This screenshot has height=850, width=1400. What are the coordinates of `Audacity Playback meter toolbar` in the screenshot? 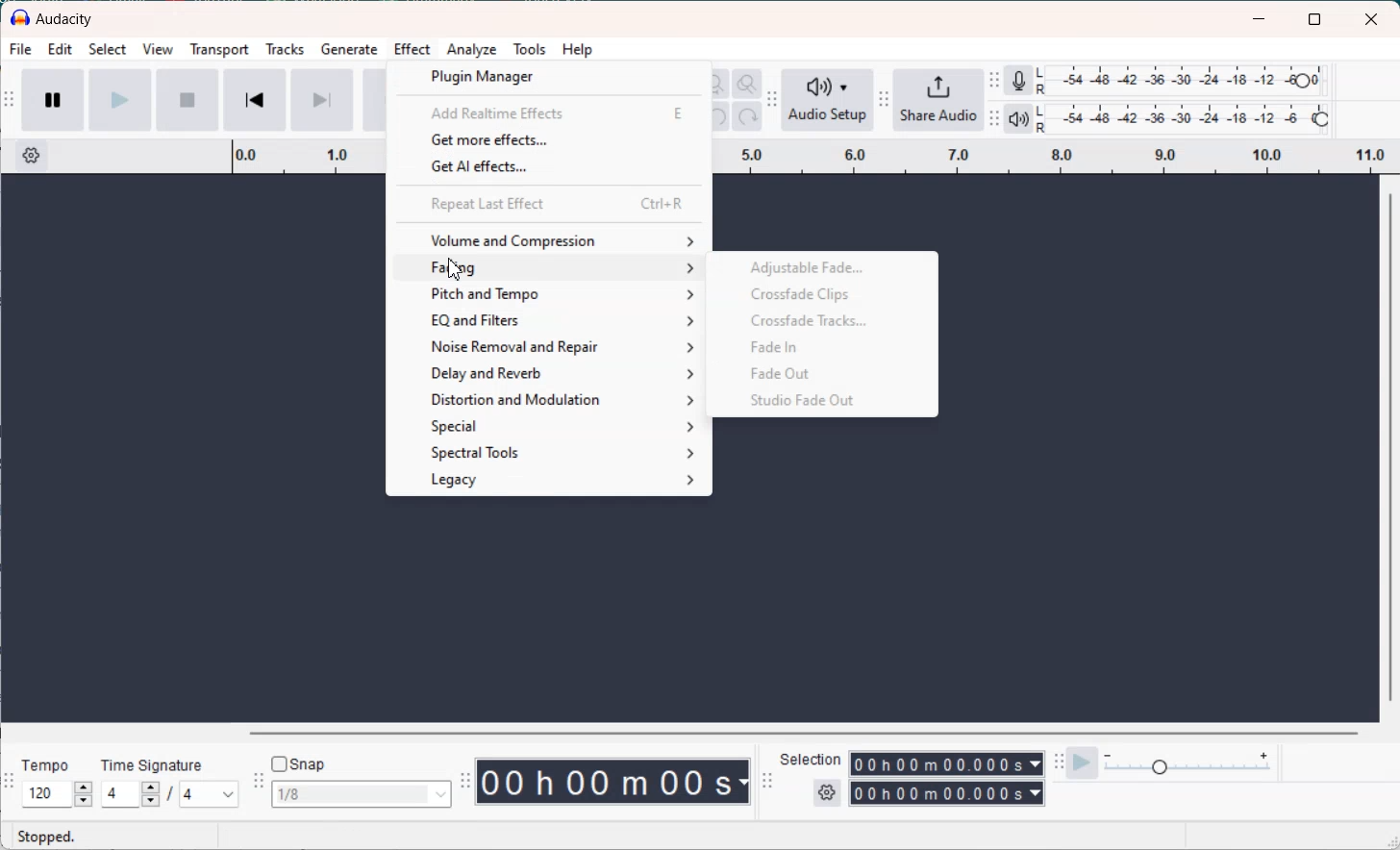 It's located at (995, 117).